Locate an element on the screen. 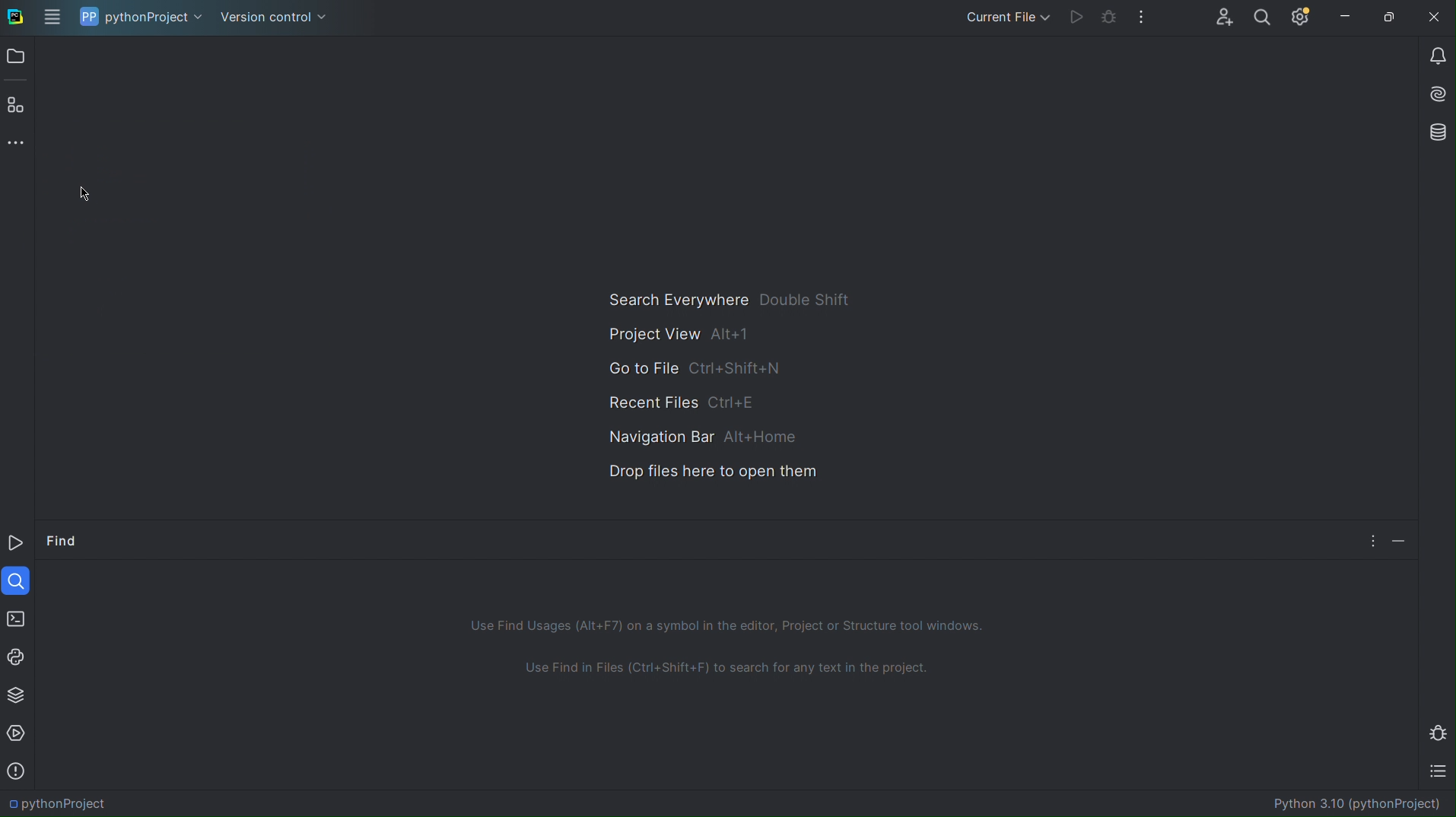 Image resolution: width=1456 pixels, height=817 pixels. Notification is located at coordinates (1434, 56).